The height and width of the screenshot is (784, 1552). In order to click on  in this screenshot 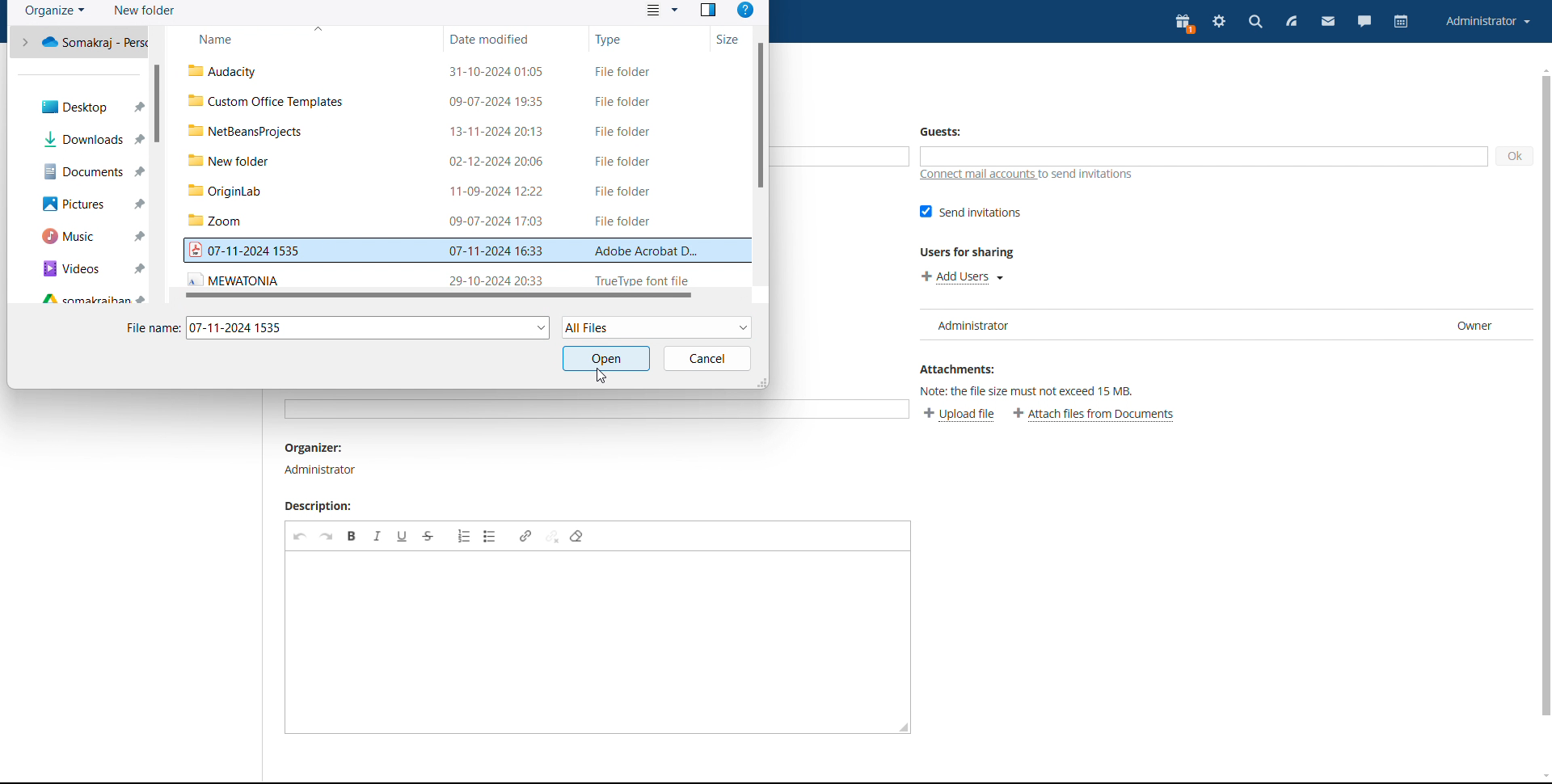, I will do `click(588, 413)`.